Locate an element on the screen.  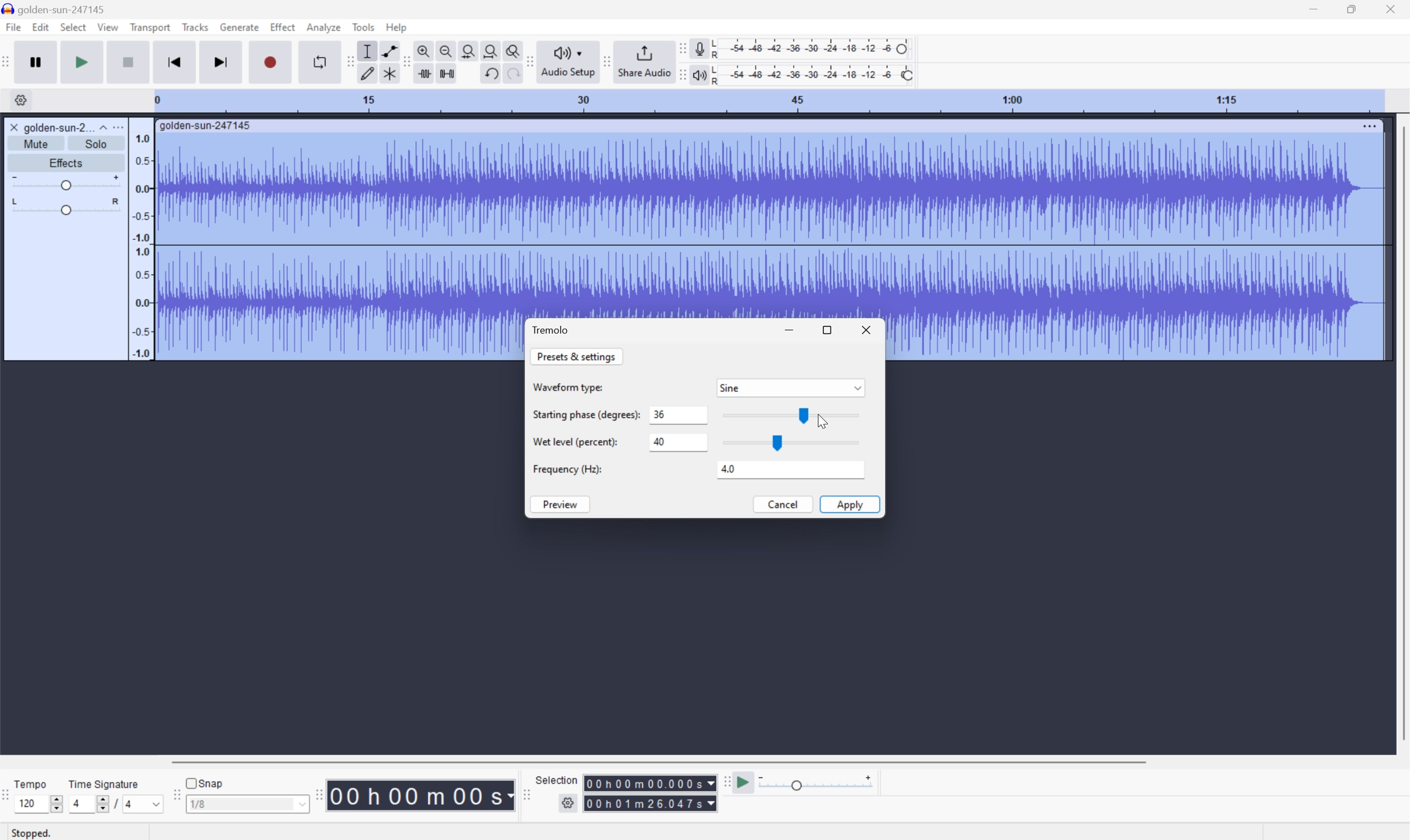
/ is located at coordinates (116, 804).